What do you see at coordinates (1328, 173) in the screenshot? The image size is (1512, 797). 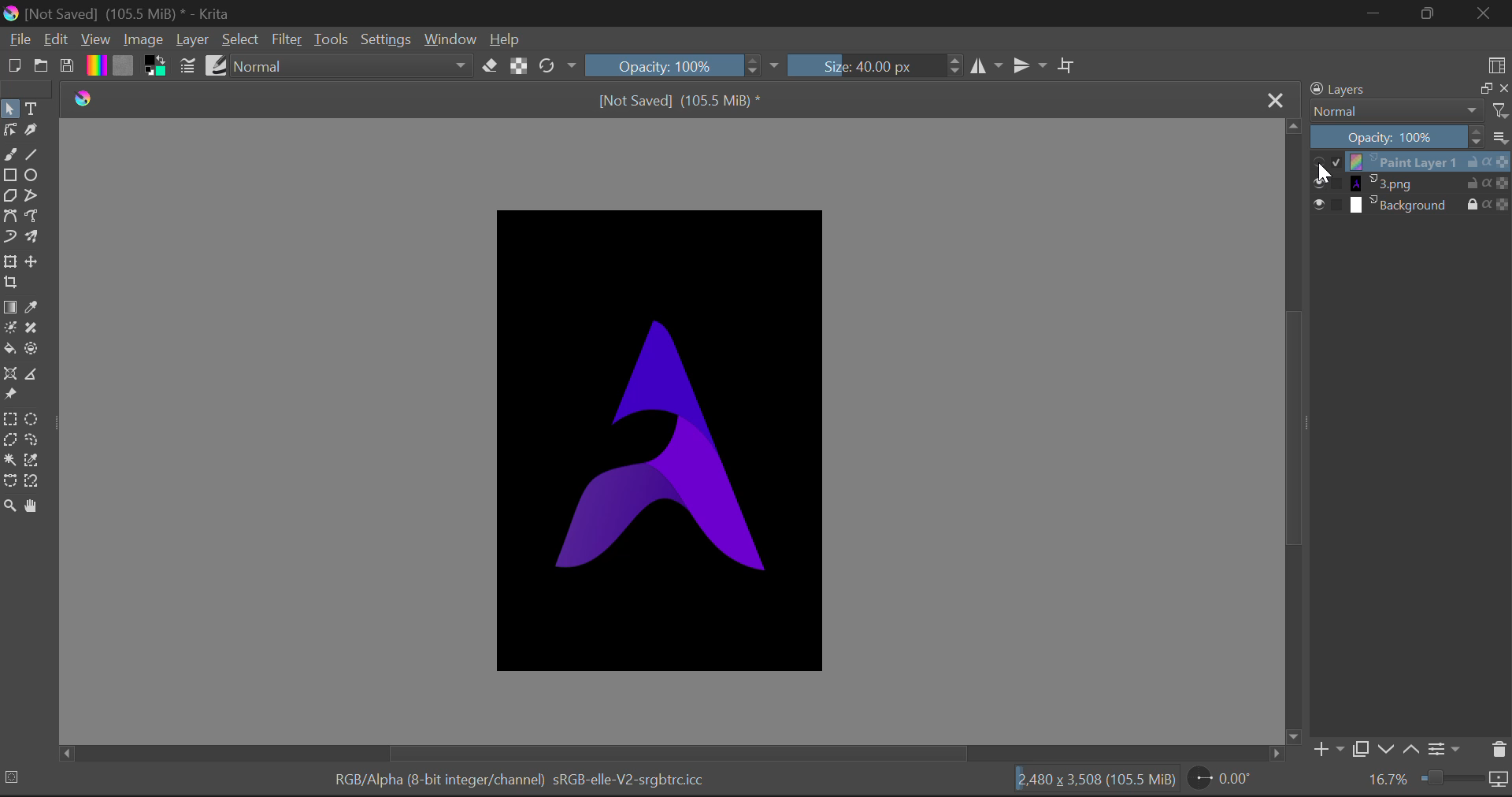 I see `cursor` at bounding box center [1328, 173].